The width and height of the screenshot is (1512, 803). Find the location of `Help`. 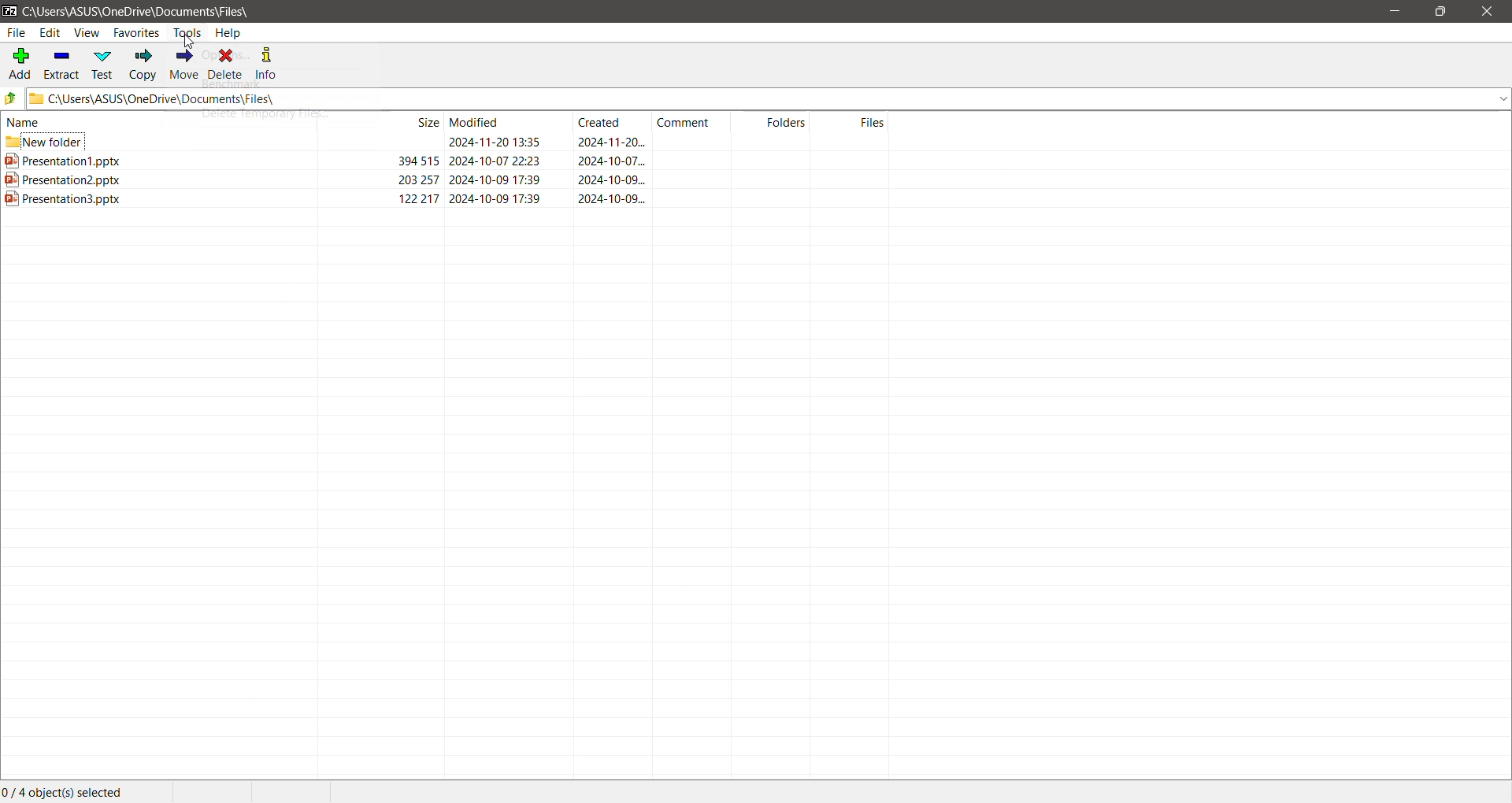

Help is located at coordinates (228, 34).